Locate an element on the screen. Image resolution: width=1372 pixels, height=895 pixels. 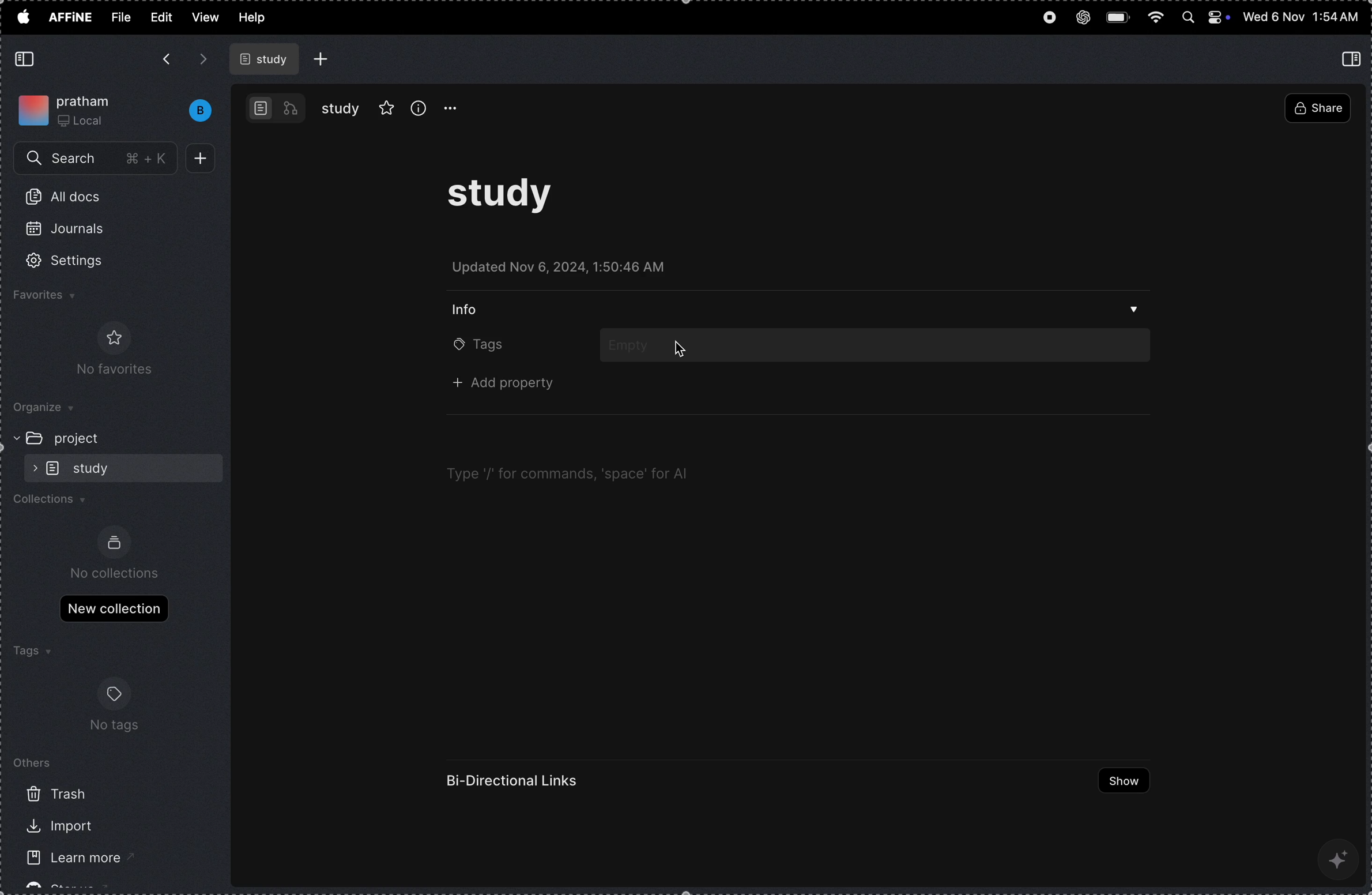
cursor is located at coordinates (679, 351).